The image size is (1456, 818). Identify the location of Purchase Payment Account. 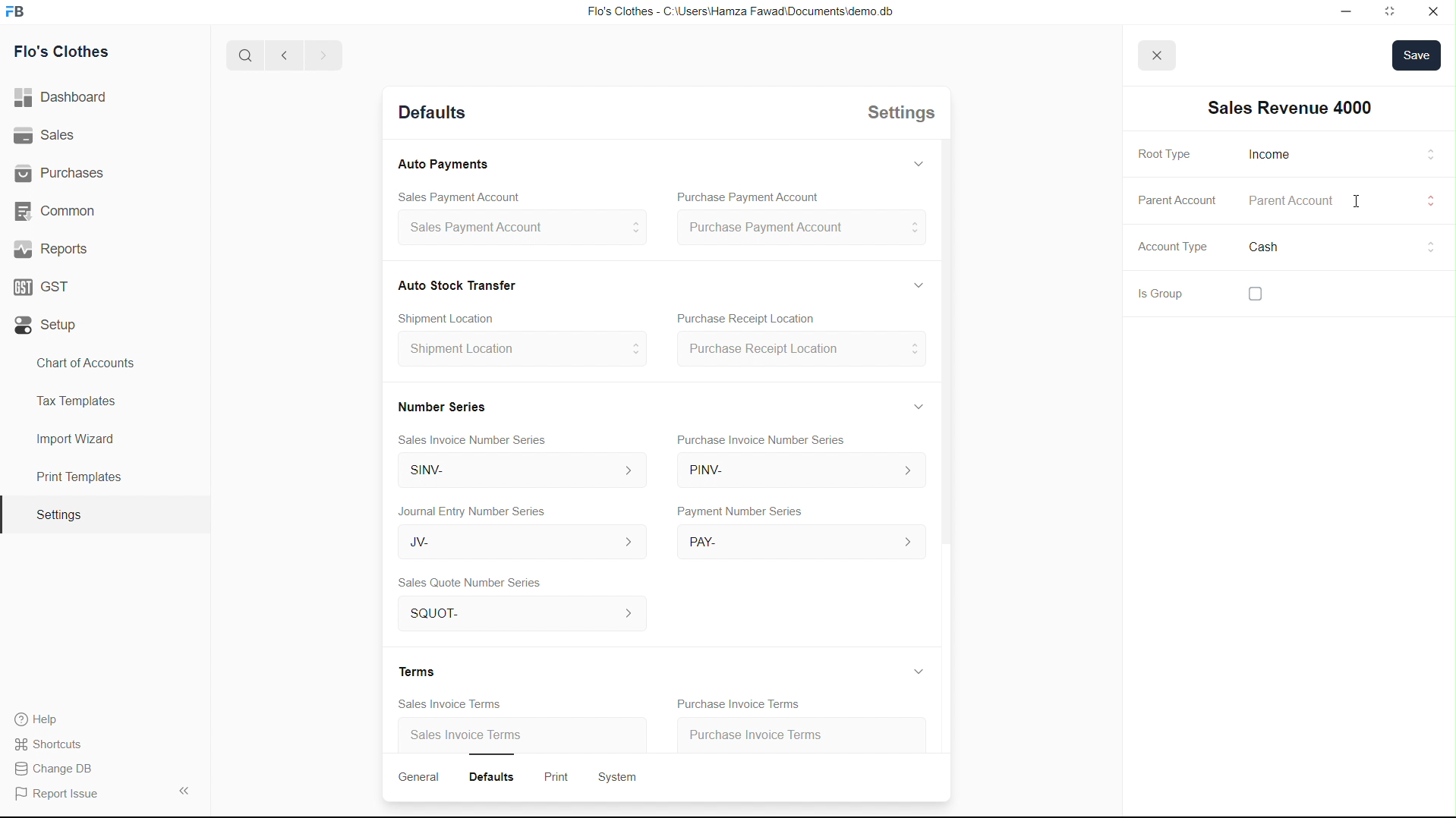
(800, 228).